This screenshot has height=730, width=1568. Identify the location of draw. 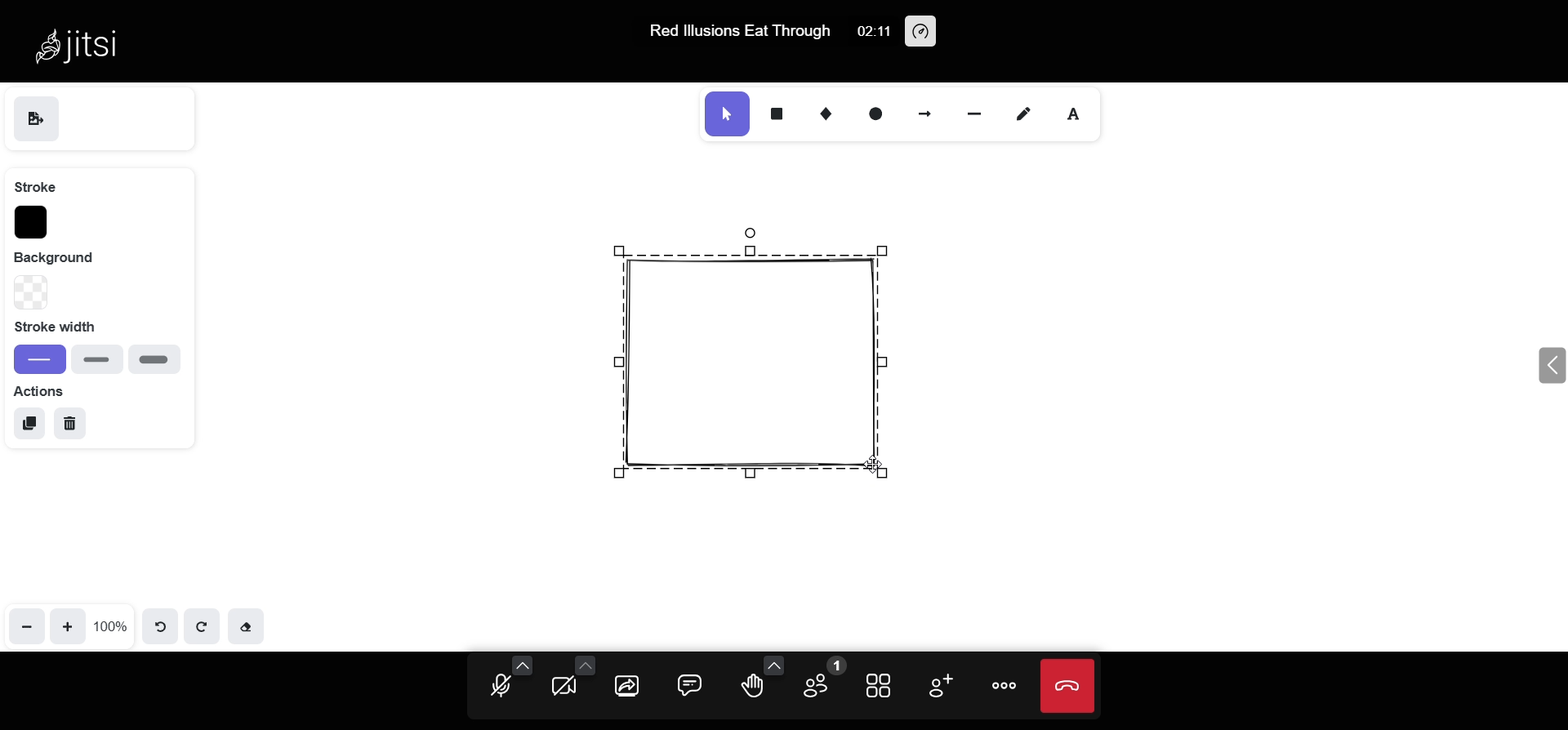
(1020, 113).